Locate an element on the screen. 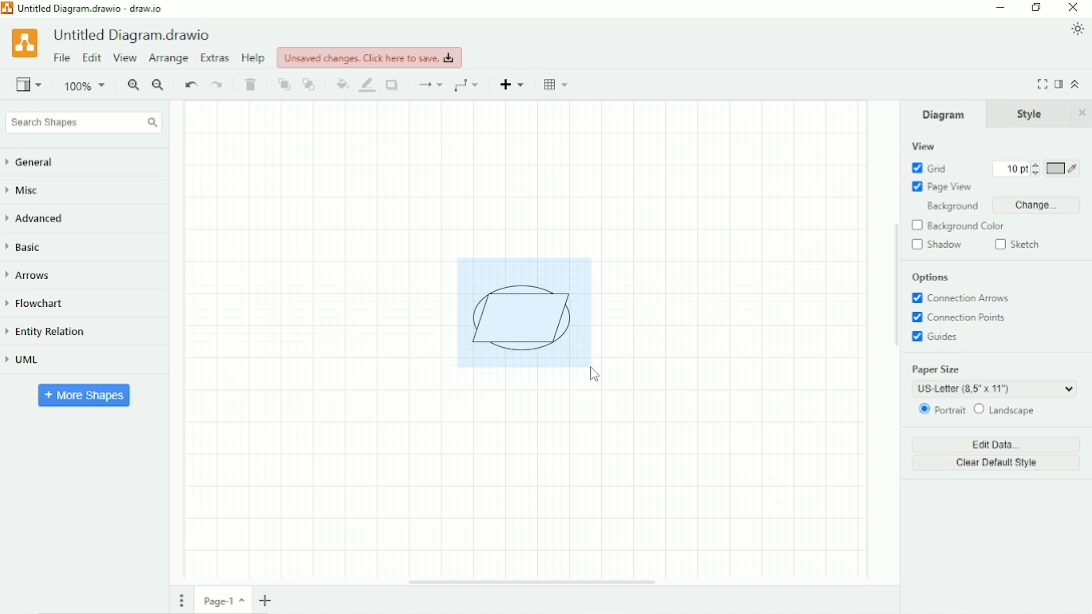 This screenshot has height=614, width=1092. Insert page is located at coordinates (268, 600).